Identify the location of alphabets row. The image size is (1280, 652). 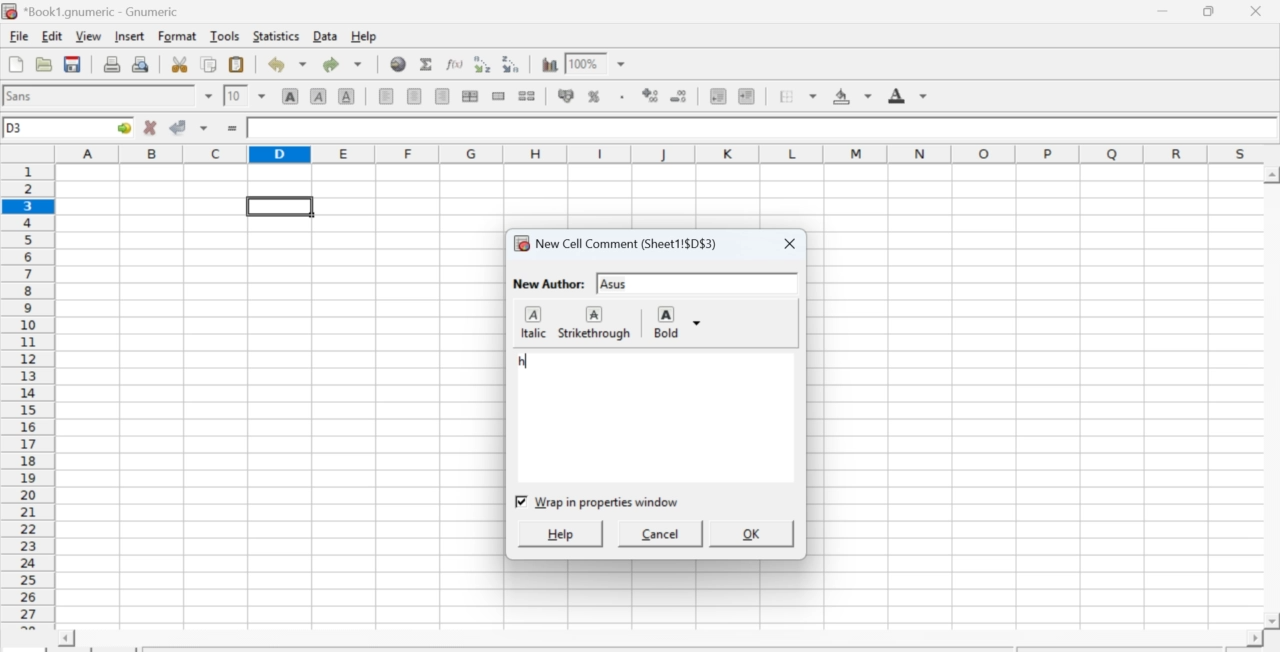
(659, 152).